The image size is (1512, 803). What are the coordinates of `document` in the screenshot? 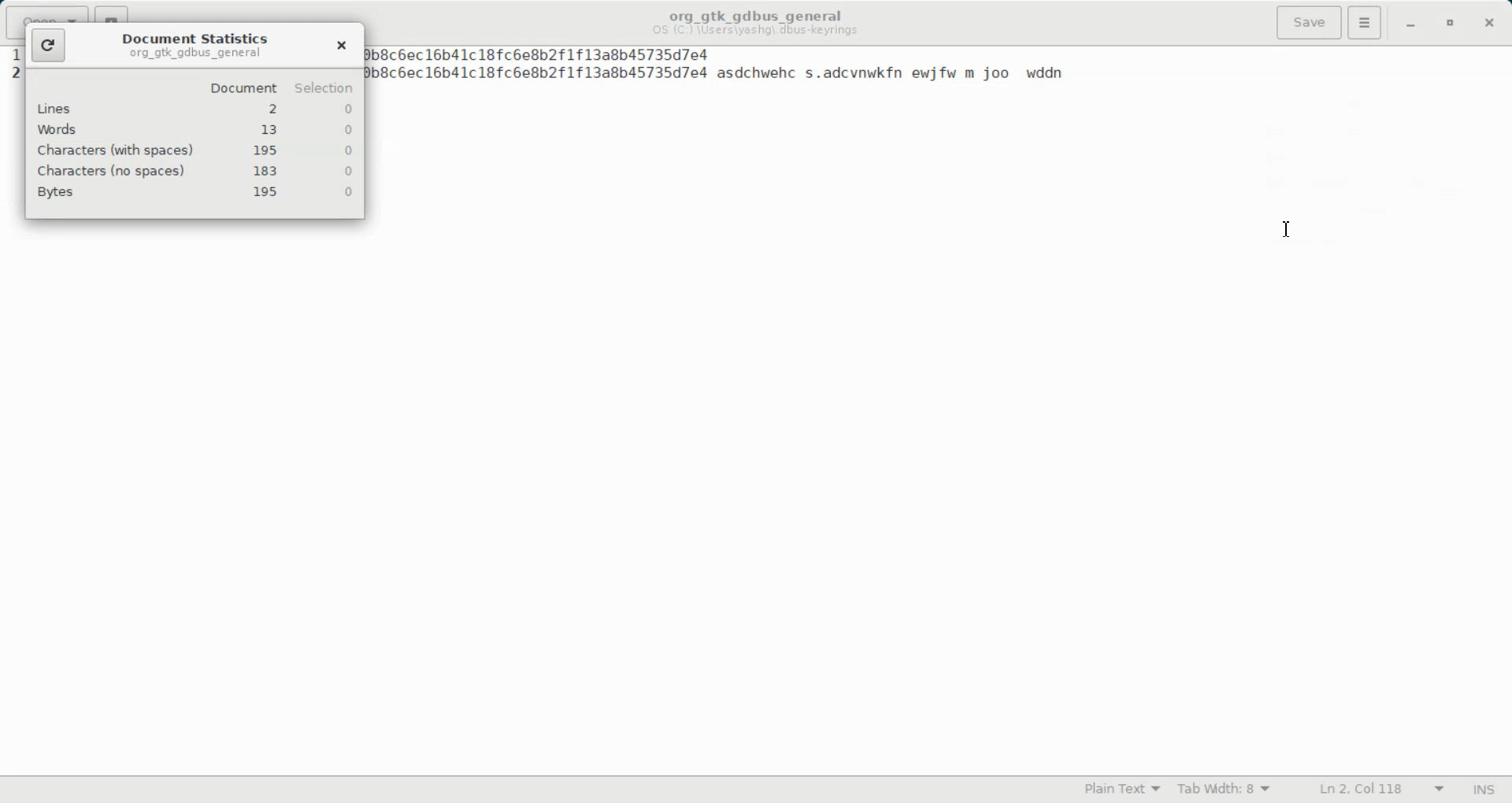 It's located at (244, 88).